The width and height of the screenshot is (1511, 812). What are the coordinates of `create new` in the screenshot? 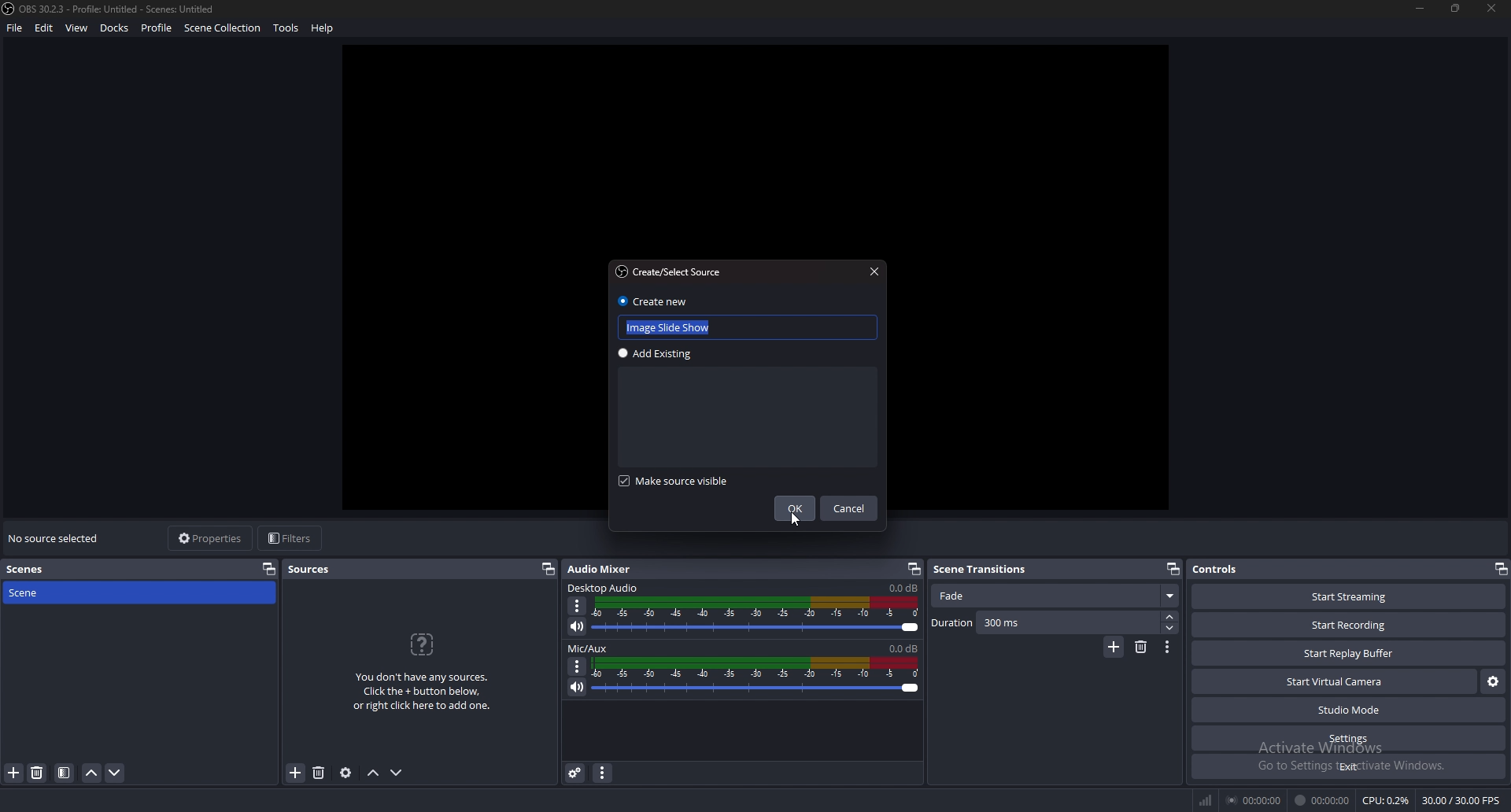 It's located at (652, 301).